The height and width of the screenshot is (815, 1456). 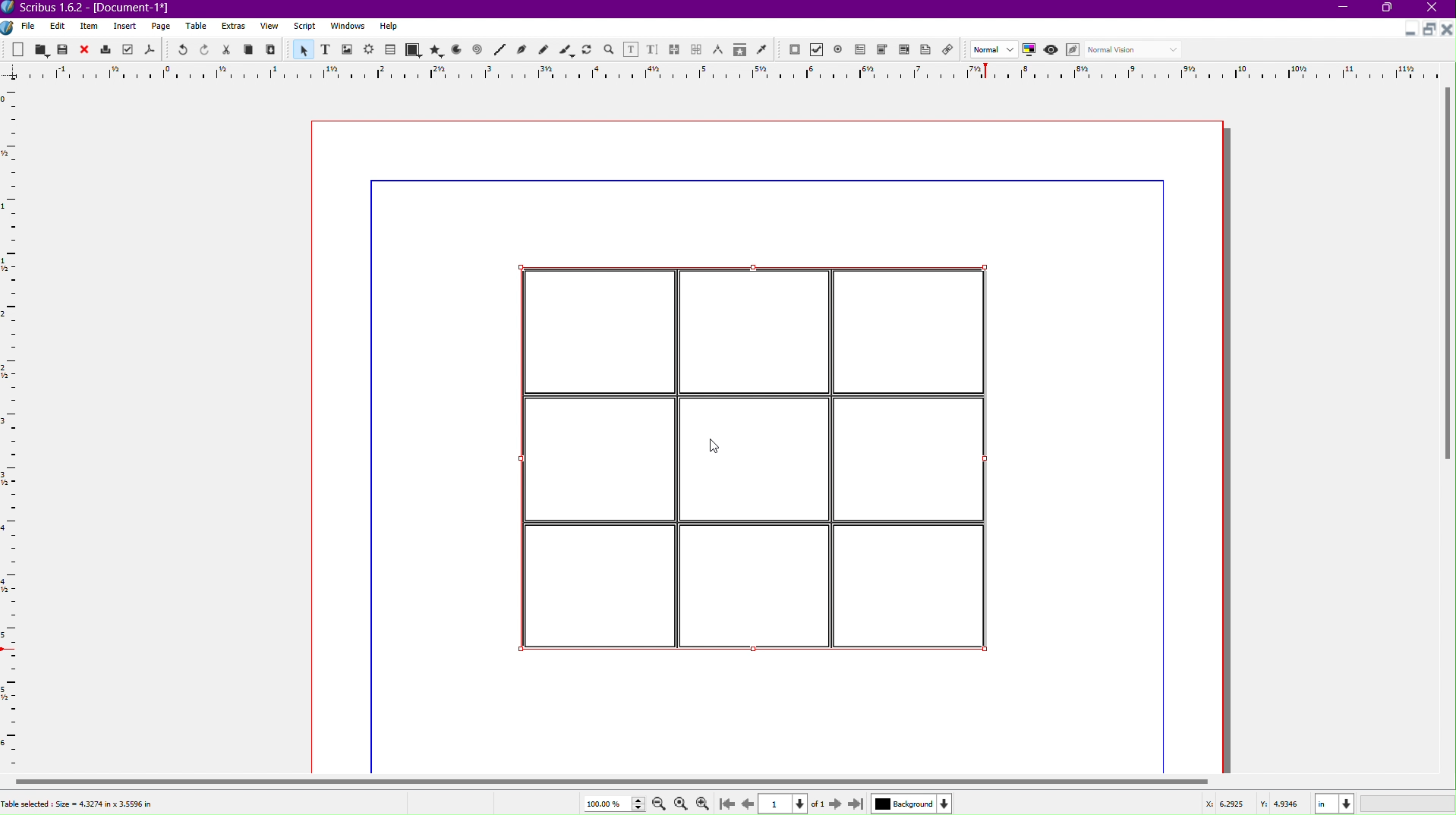 I want to click on Copy, so click(x=251, y=49).